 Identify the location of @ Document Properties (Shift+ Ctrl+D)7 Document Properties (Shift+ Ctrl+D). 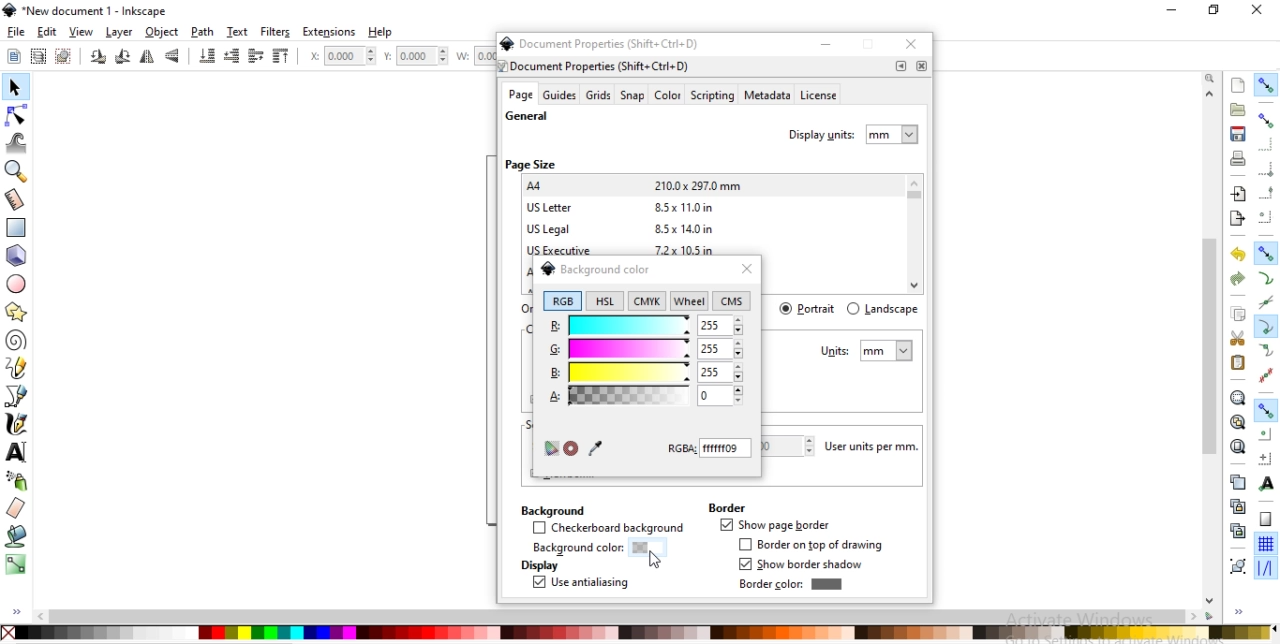
(606, 54).